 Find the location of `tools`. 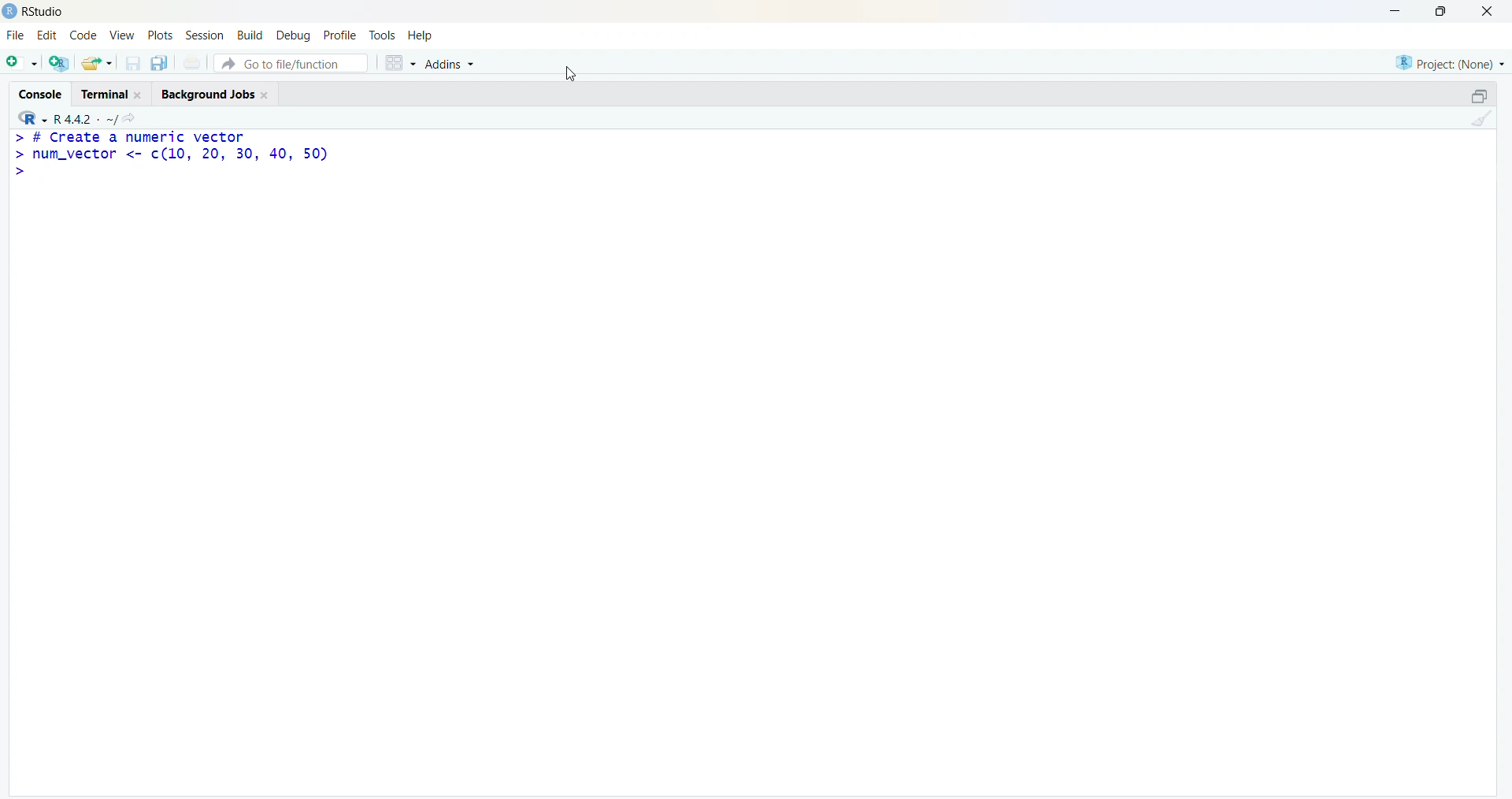

tools is located at coordinates (383, 35).